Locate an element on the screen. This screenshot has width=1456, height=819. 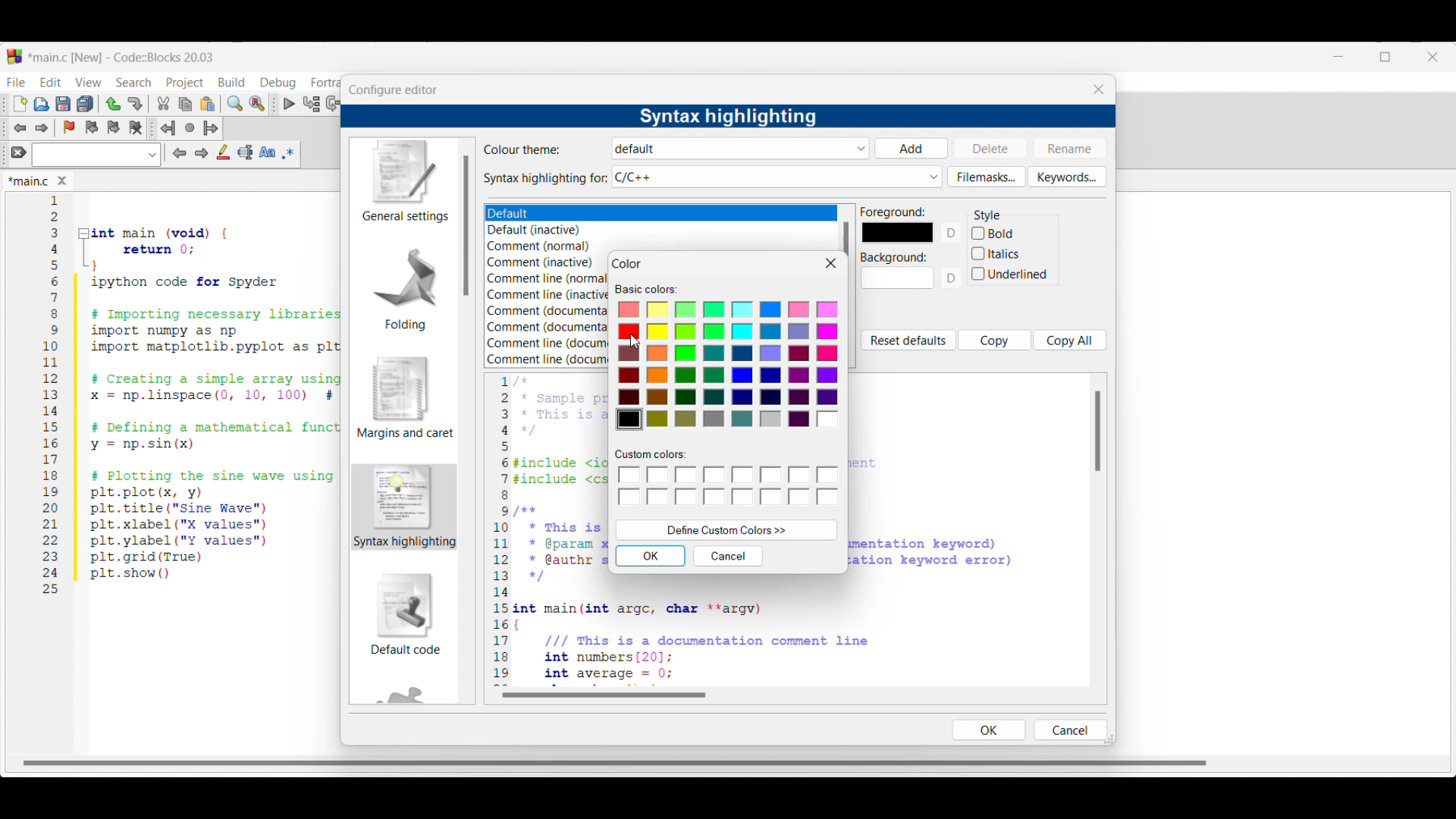
Indicates syntax highlighting options is located at coordinates (546, 179).